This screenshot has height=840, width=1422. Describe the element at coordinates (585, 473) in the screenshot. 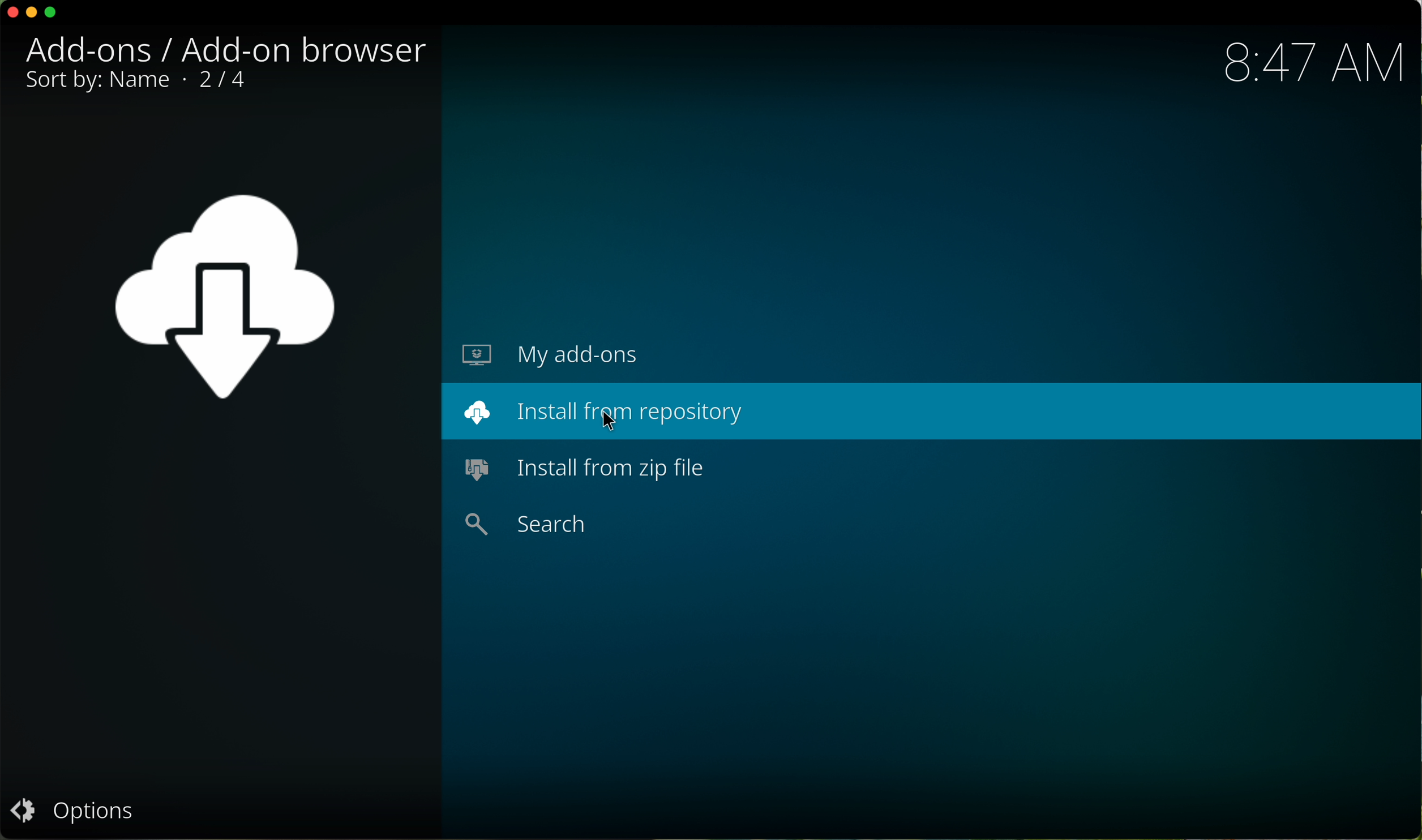

I see `install from zip file` at that location.